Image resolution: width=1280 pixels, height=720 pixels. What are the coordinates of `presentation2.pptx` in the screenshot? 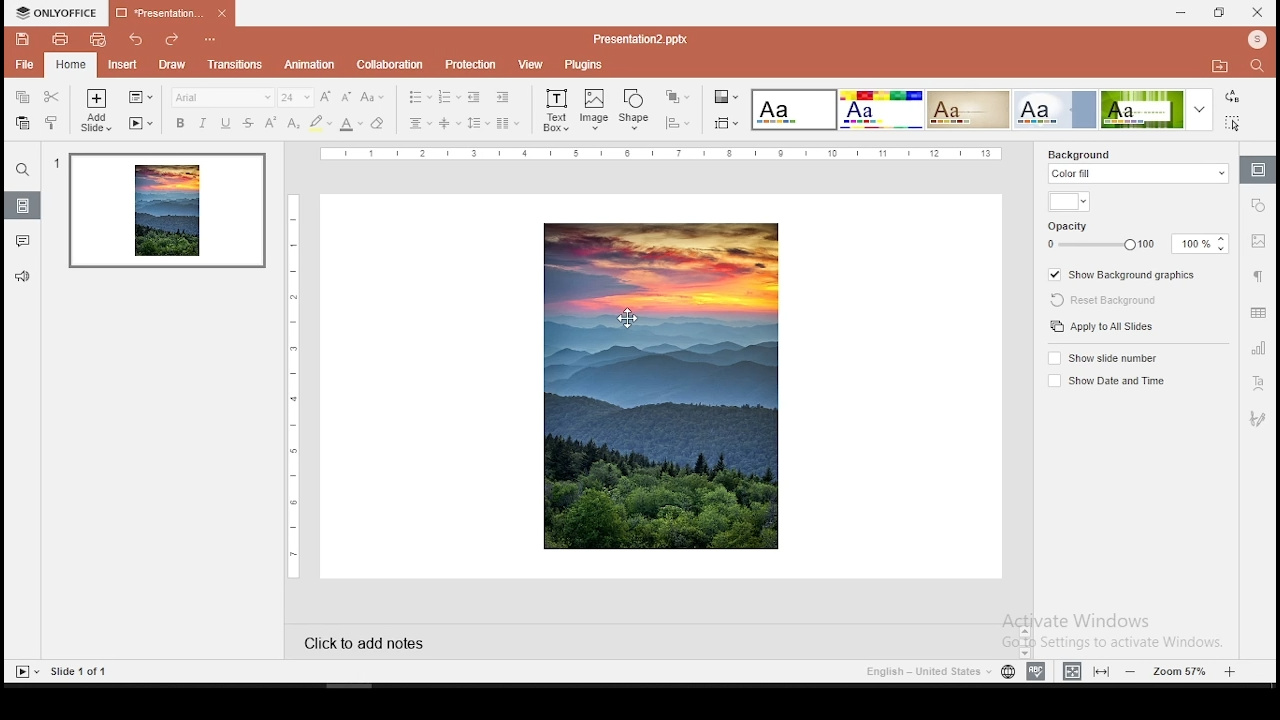 It's located at (634, 38).